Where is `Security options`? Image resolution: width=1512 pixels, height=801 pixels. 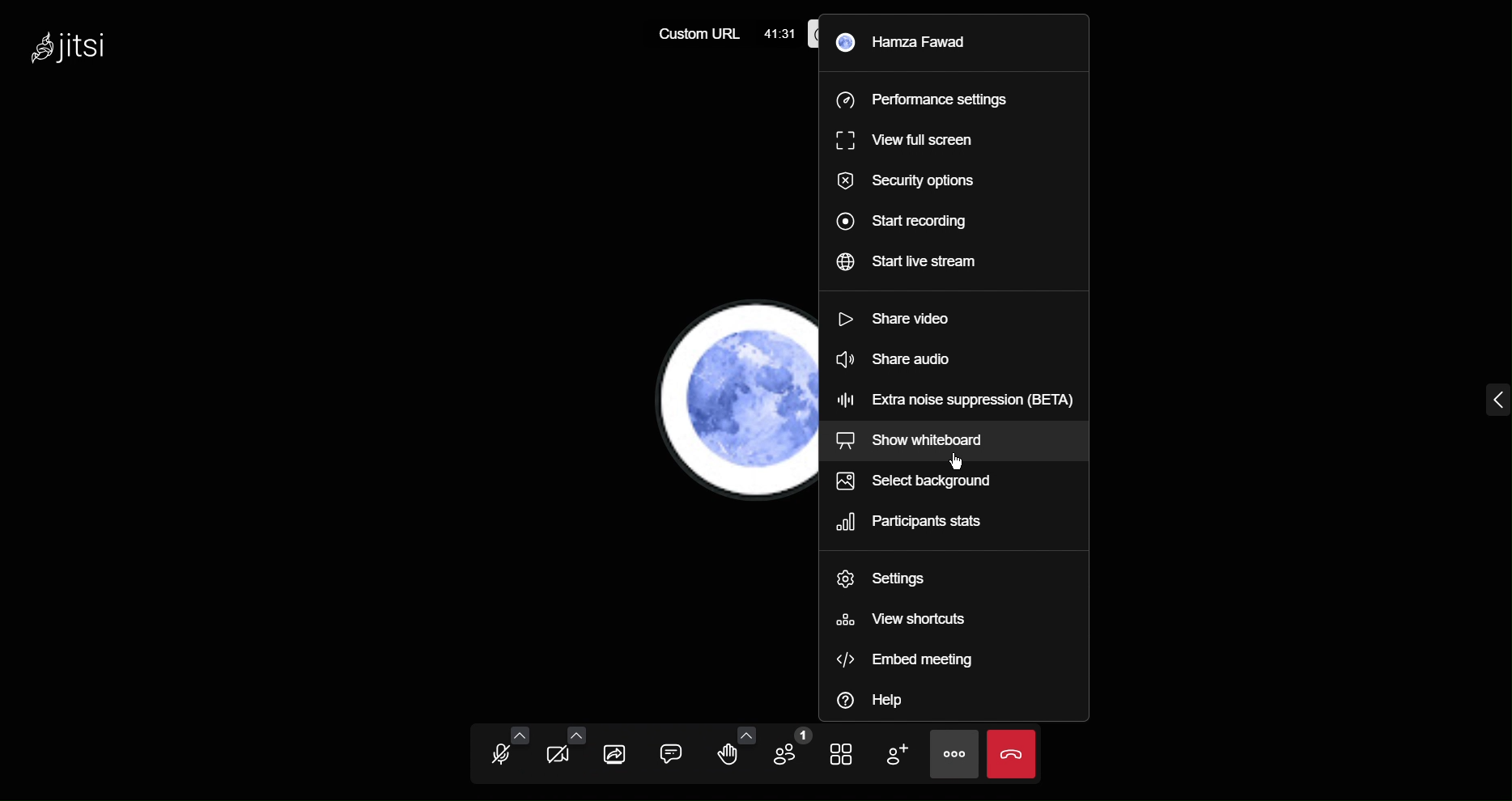 Security options is located at coordinates (901, 181).